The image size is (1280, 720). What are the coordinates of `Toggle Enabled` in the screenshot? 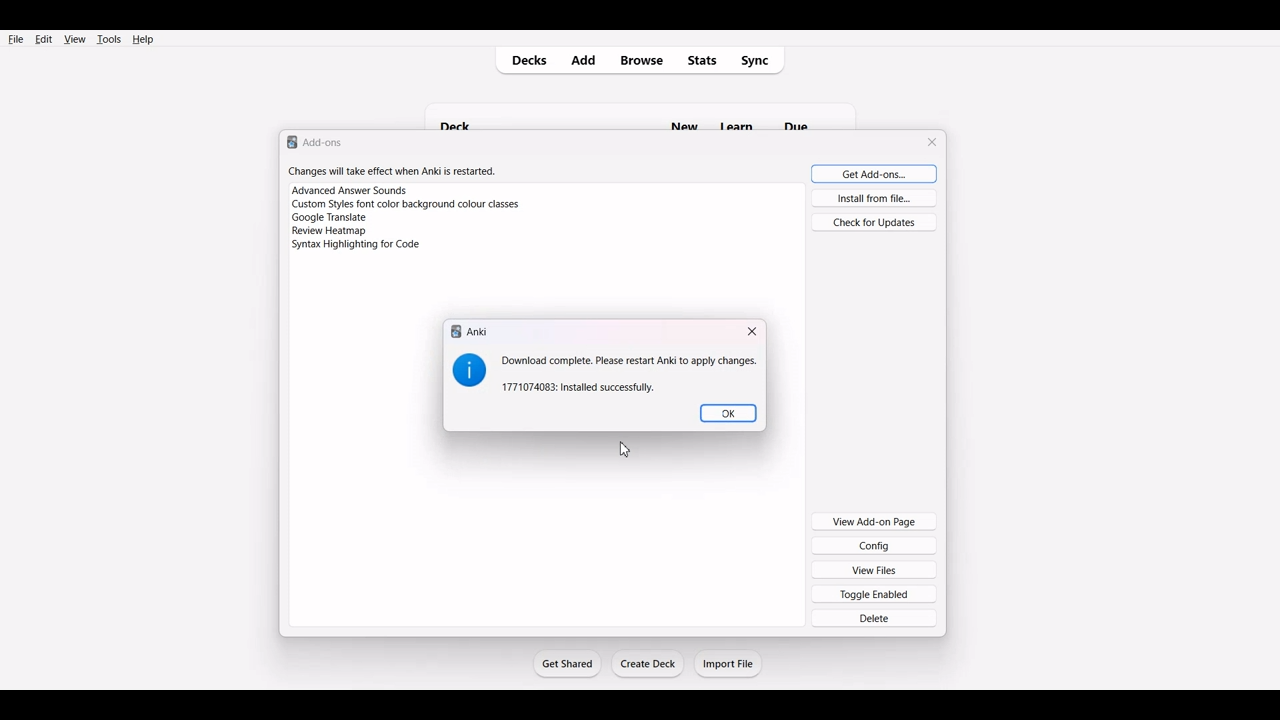 It's located at (875, 593).